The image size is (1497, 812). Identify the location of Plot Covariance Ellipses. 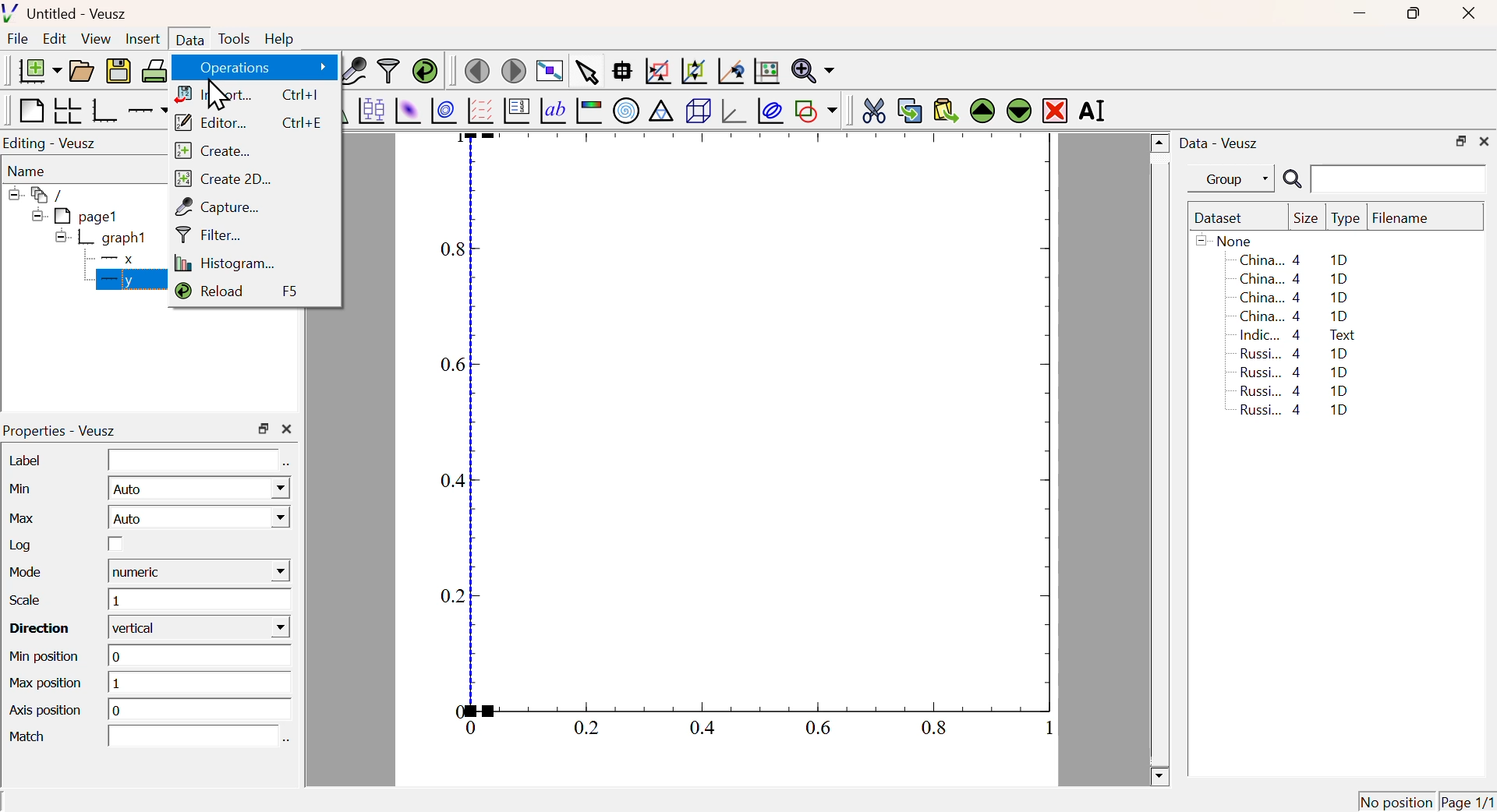
(770, 112).